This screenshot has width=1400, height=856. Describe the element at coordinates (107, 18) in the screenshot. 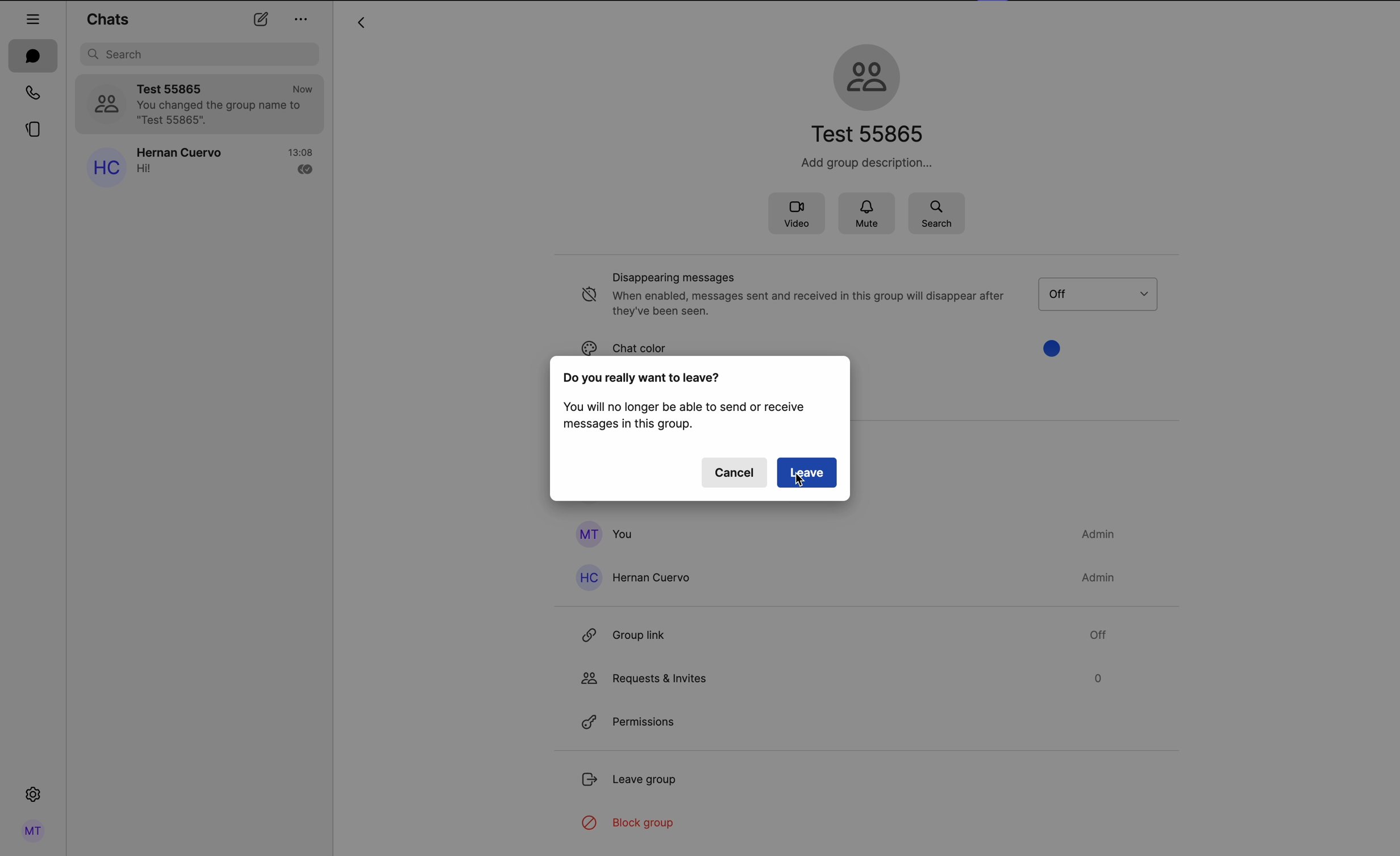

I see `chats` at that location.